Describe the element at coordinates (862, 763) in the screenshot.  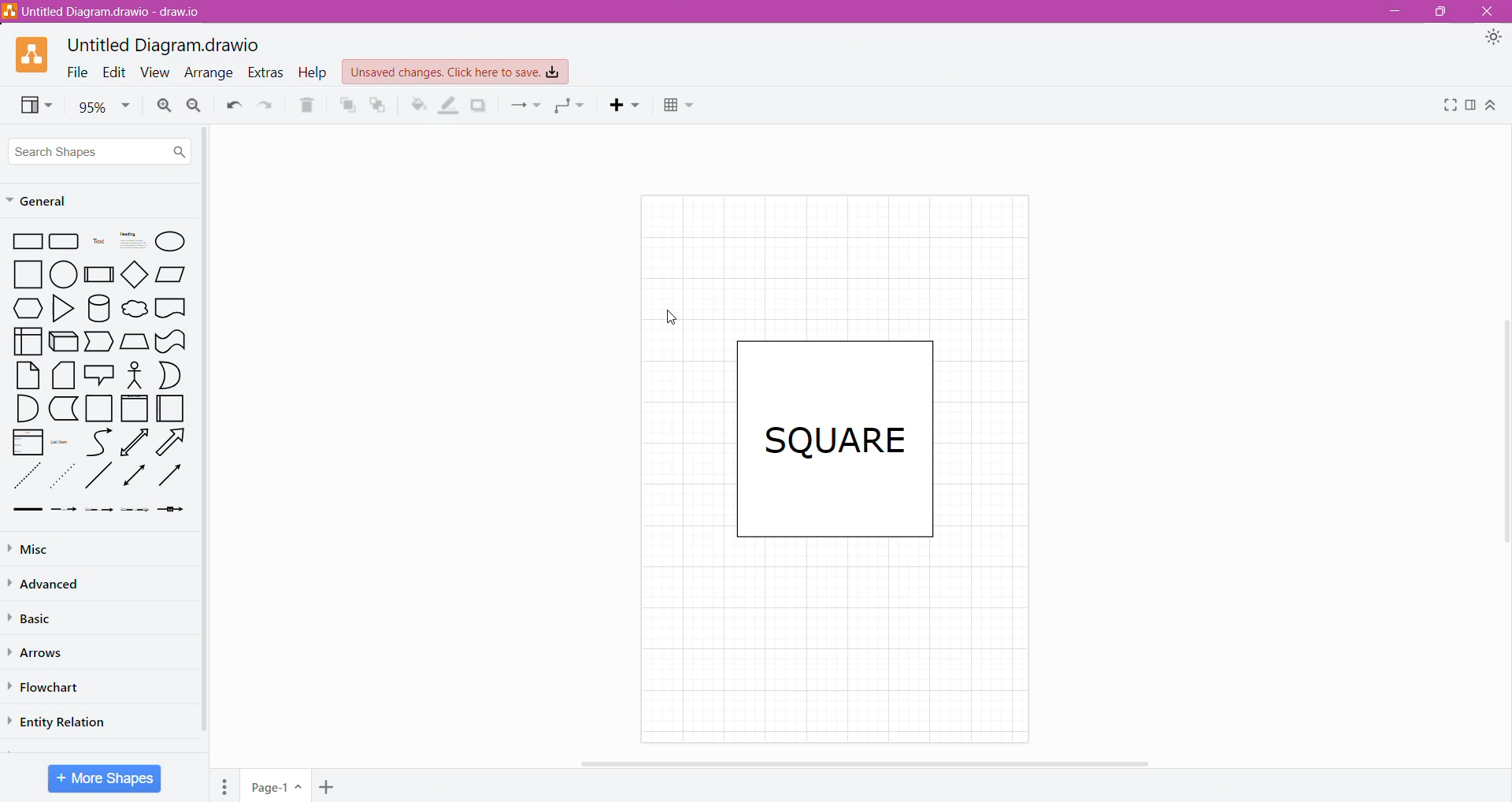
I see `Horizontal Scroll Bar` at that location.